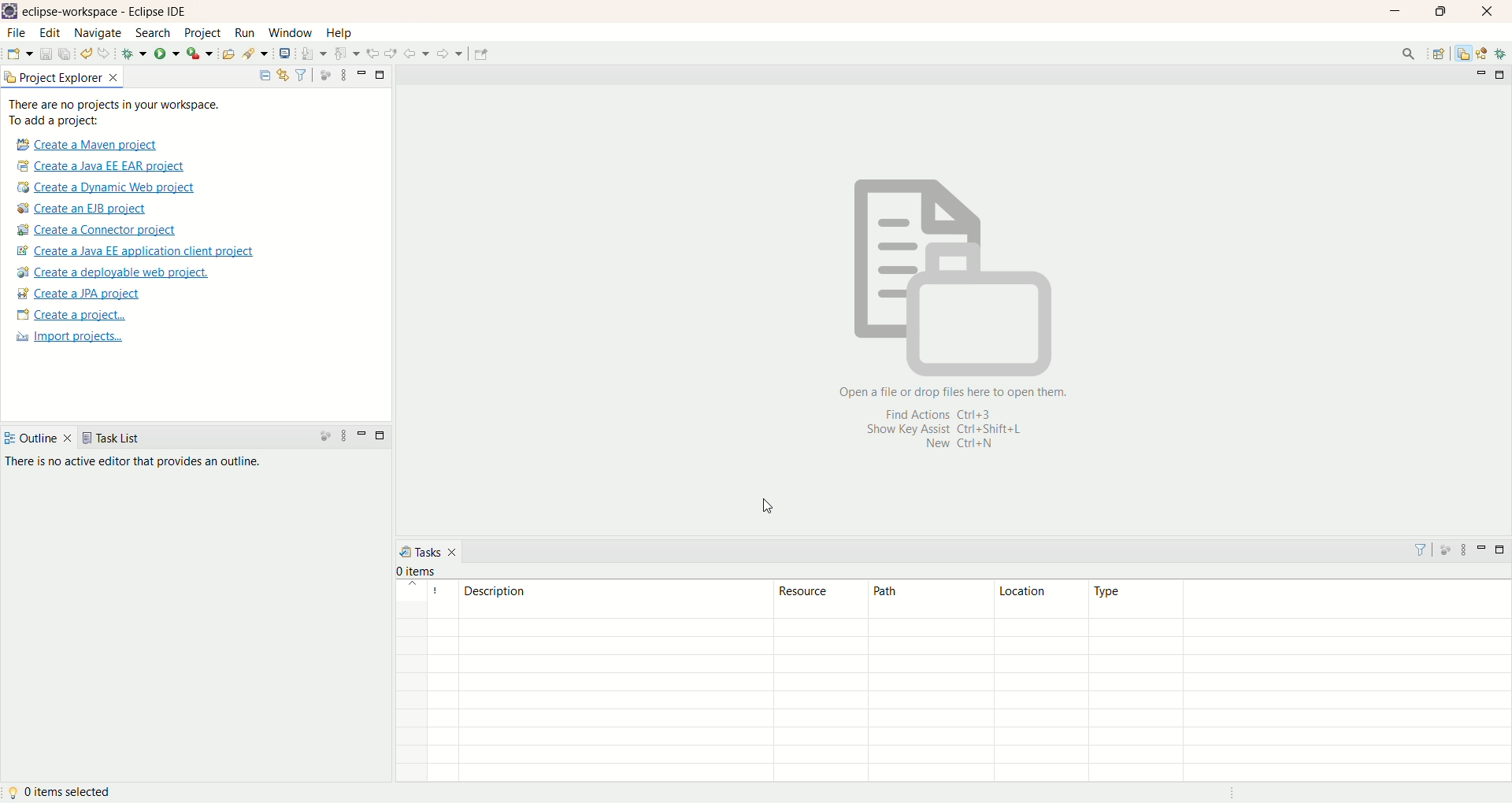  Describe the element at coordinates (372, 52) in the screenshot. I see `previous edit location` at that location.